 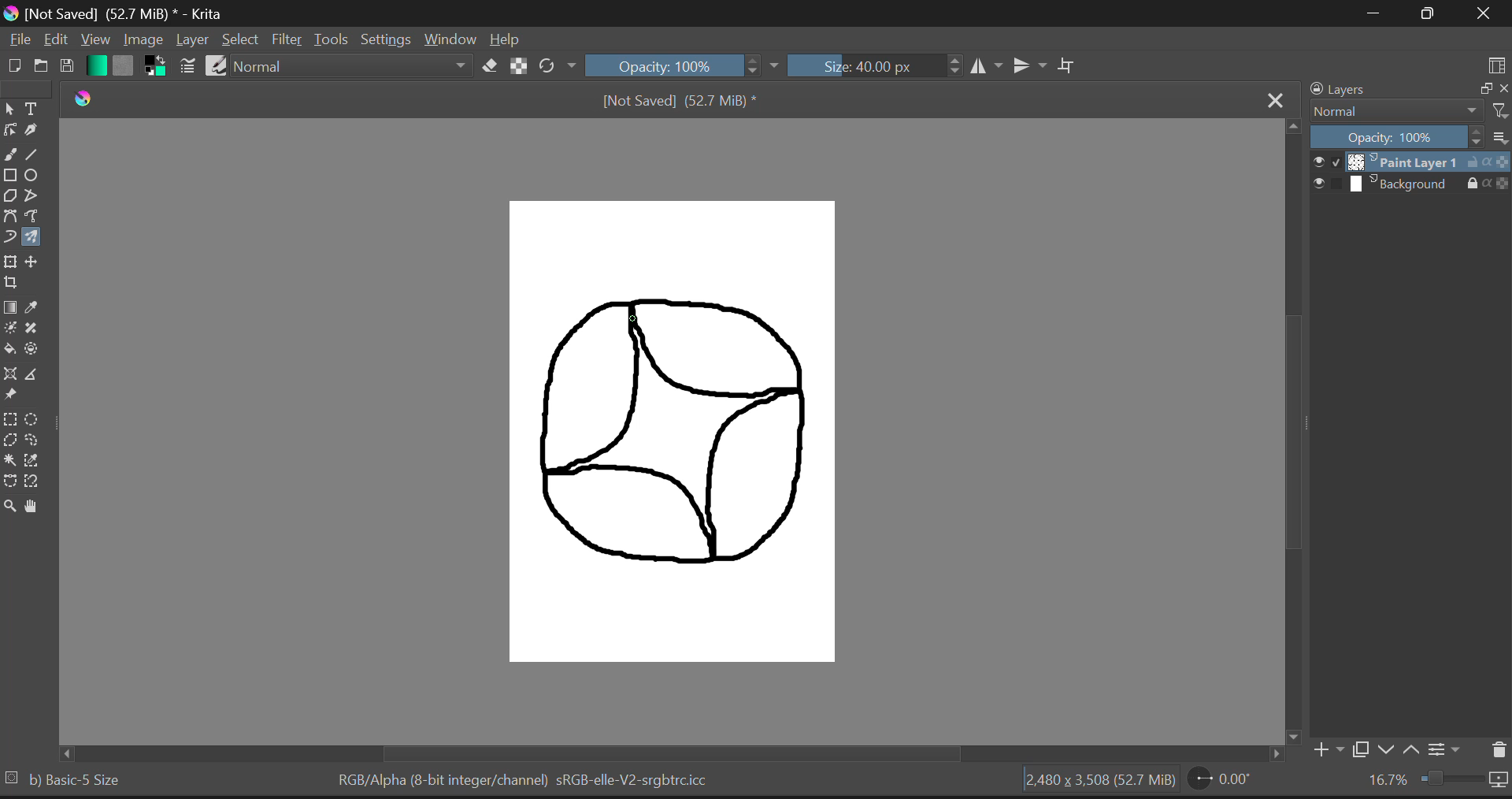 I want to click on Crop Layer, so click(x=11, y=282).